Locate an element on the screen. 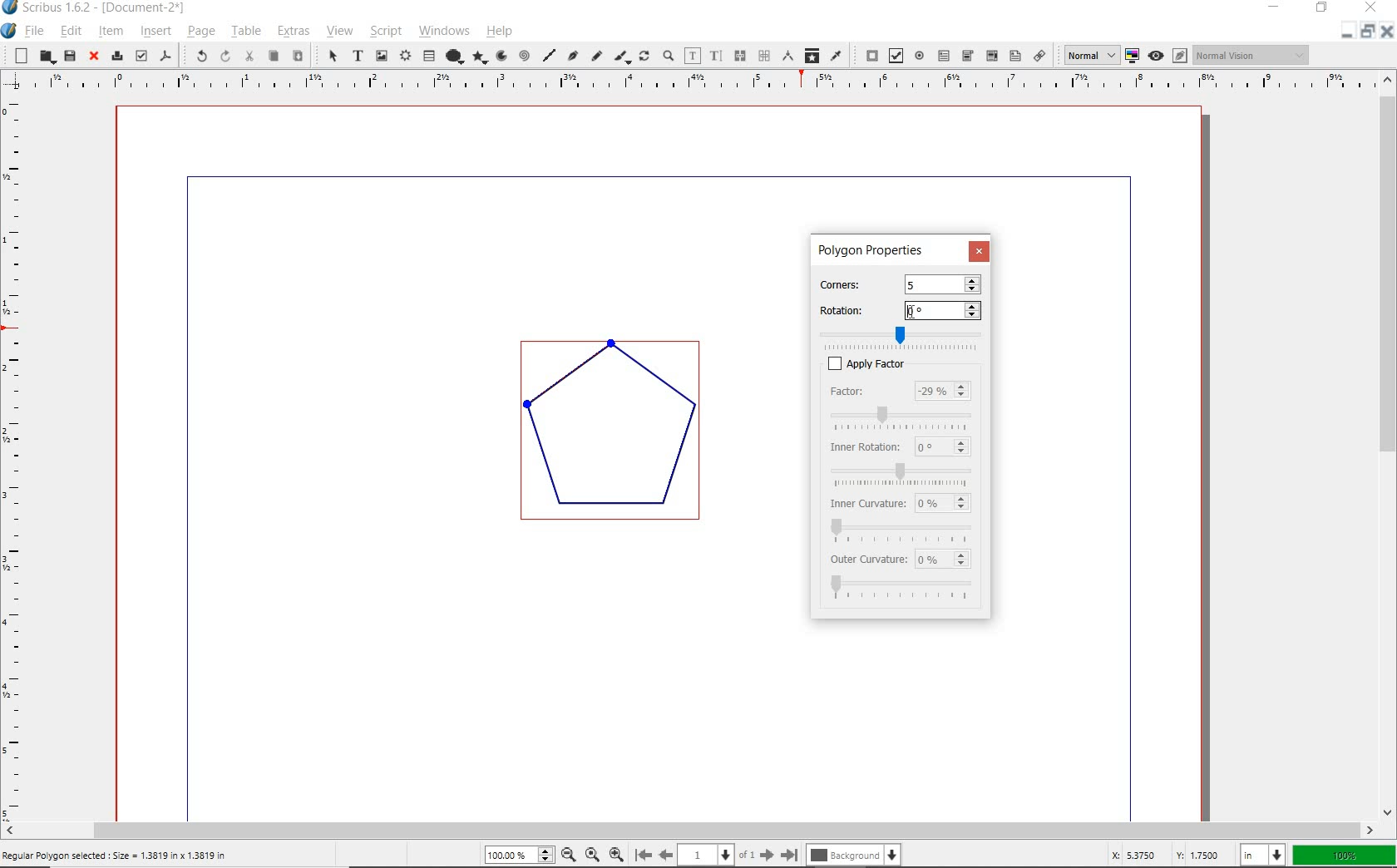 This screenshot has height=868, width=1397. edit text with story editor is located at coordinates (717, 55).